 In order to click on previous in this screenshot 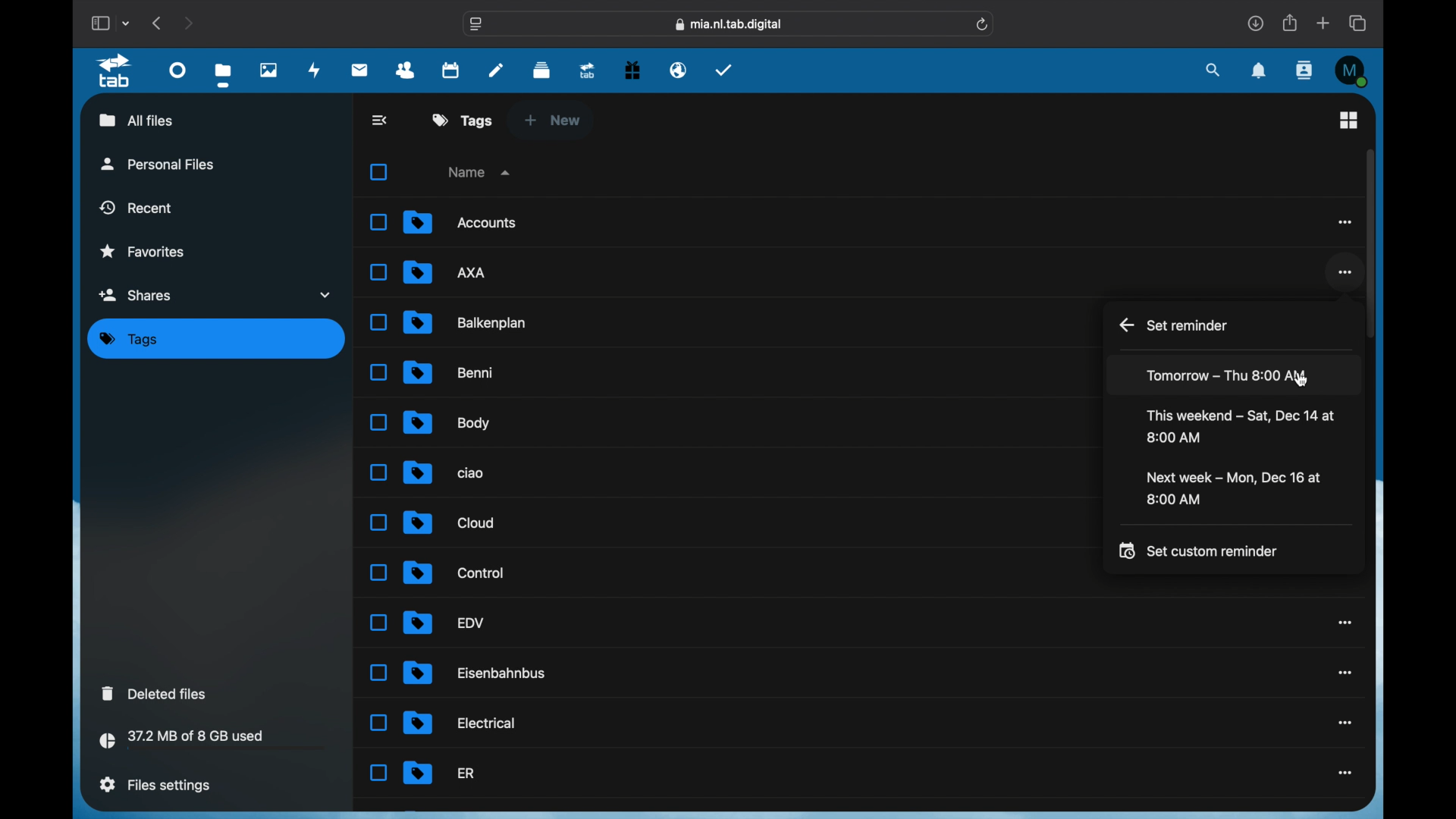, I will do `click(158, 22)`.